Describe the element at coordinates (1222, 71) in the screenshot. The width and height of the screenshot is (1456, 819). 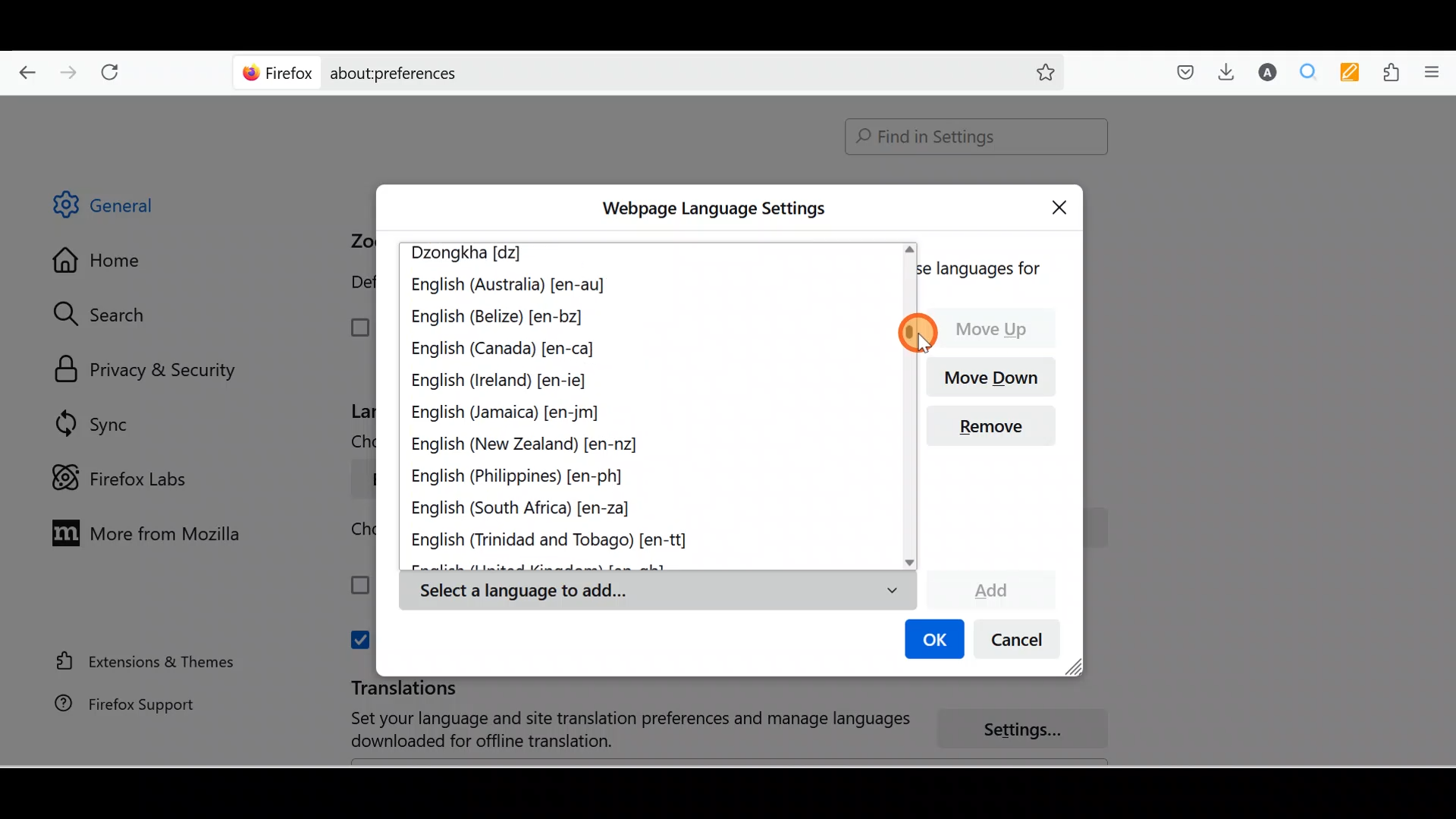
I see `Downloads` at that location.